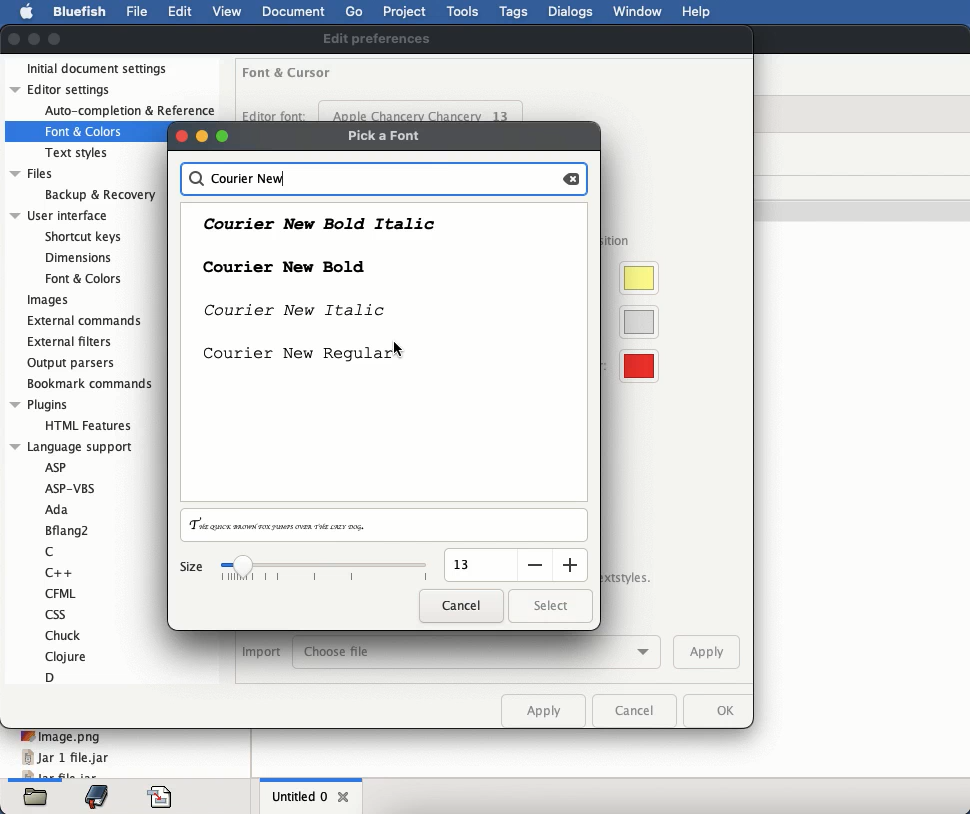 The image size is (970, 814). What do you see at coordinates (713, 712) in the screenshot?
I see `ok` at bounding box center [713, 712].